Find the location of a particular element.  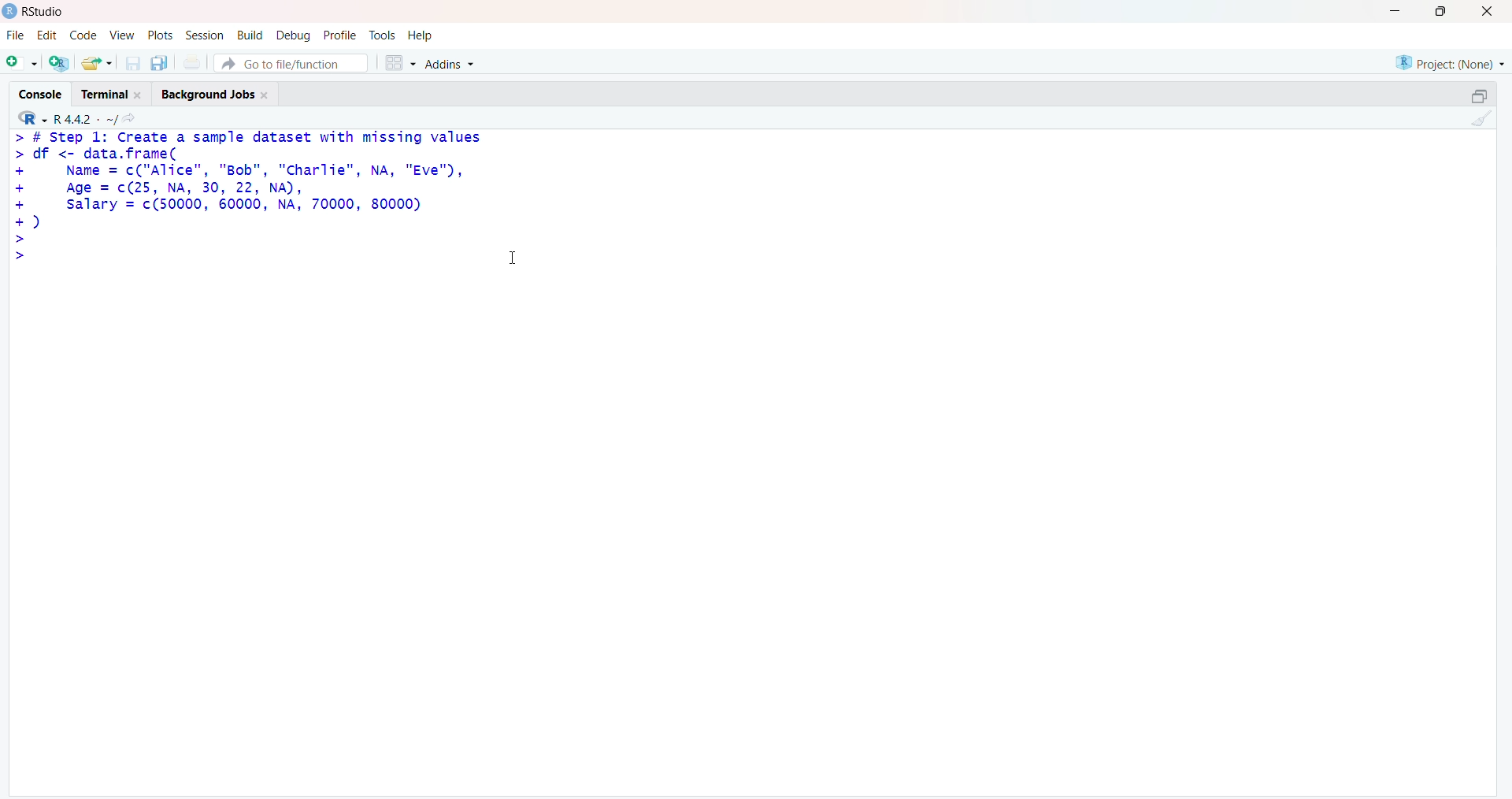

New File is located at coordinates (21, 63).